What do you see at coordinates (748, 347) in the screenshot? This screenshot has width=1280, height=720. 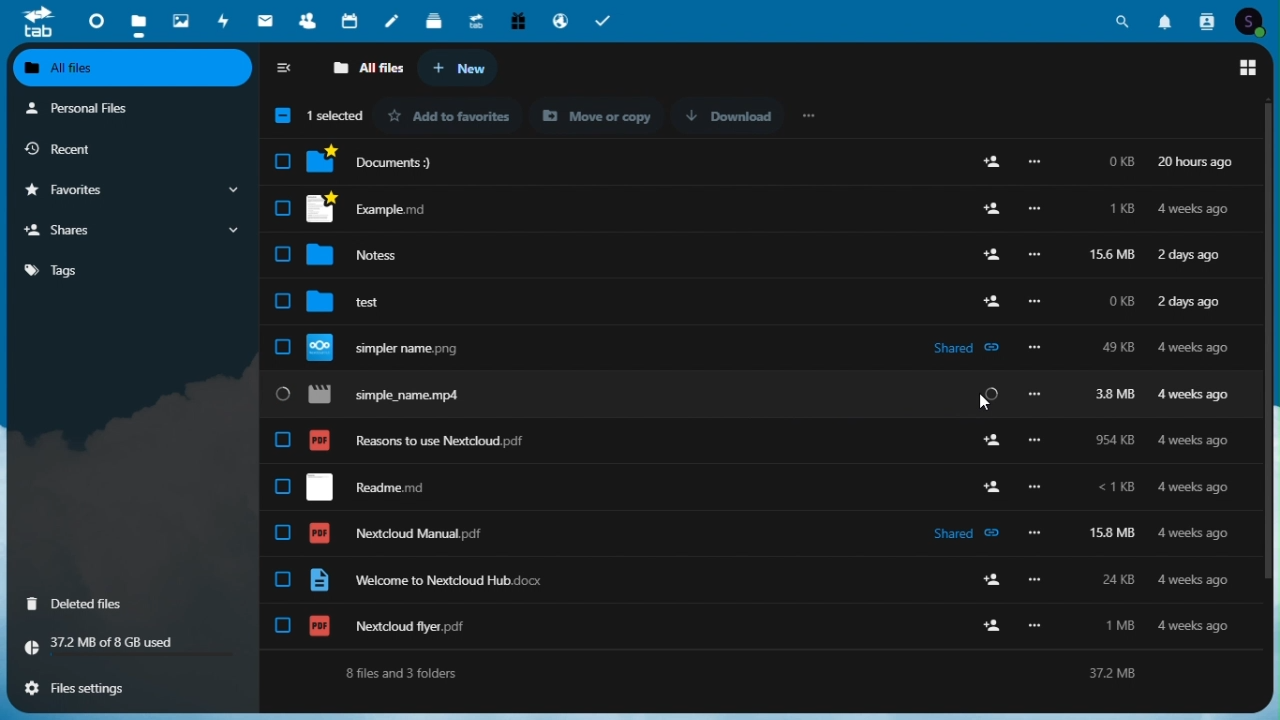 I see `simple name.png` at bounding box center [748, 347].